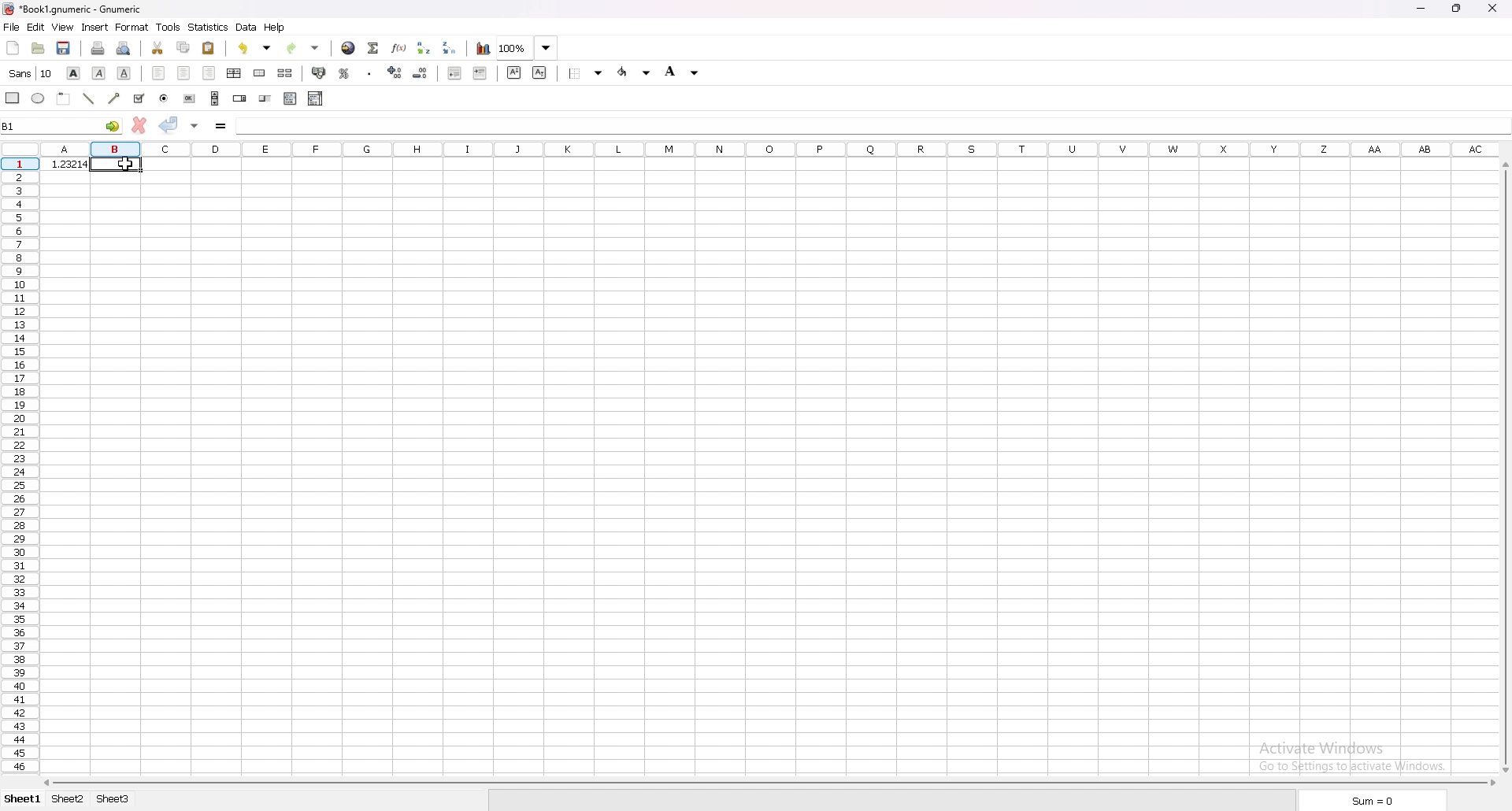  What do you see at coordinates (515, 73) in the screenshot?
I see `superscript` at bounding box center [515, 73].